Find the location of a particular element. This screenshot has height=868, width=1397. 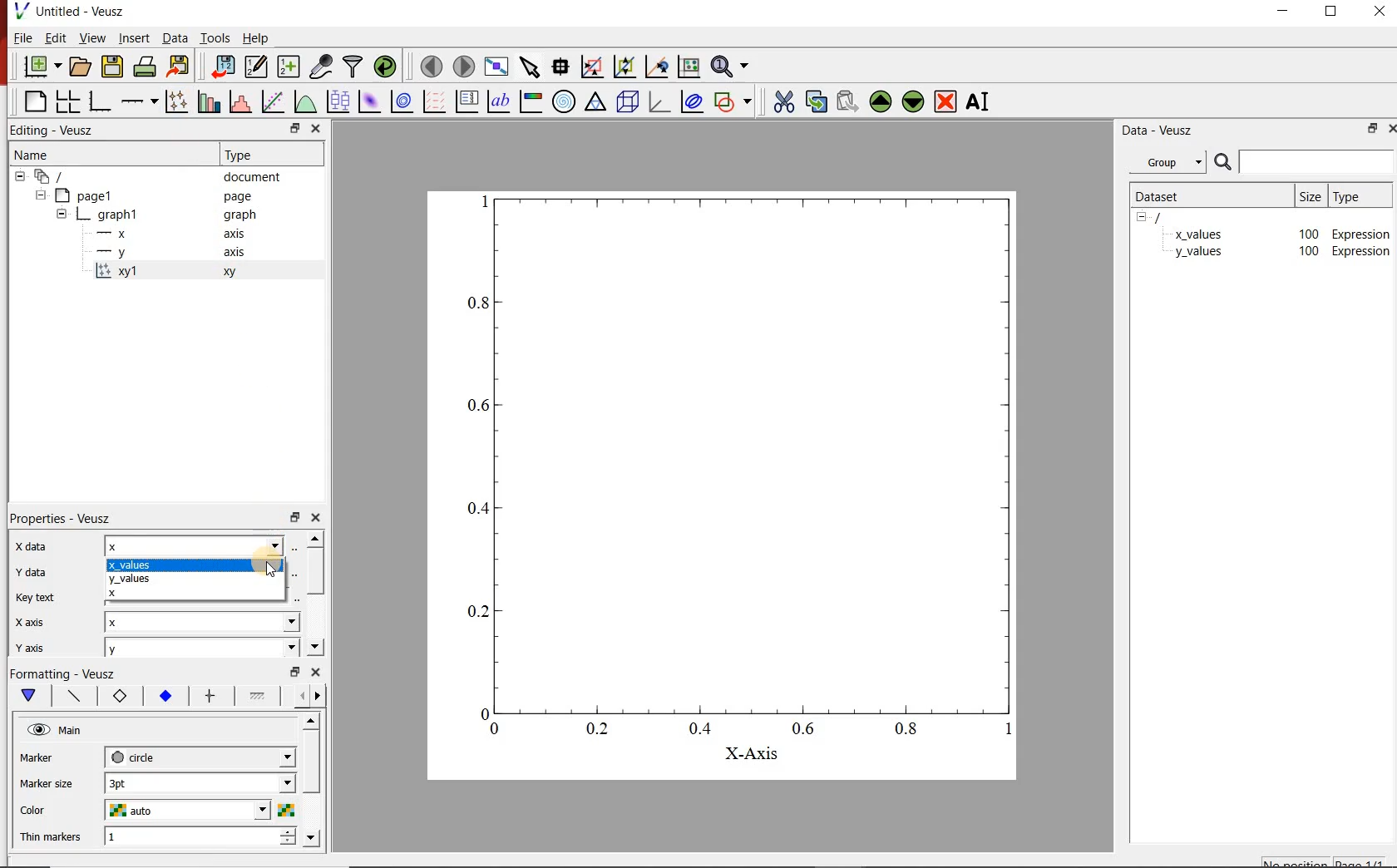

close is located at coordinates (318, 517).